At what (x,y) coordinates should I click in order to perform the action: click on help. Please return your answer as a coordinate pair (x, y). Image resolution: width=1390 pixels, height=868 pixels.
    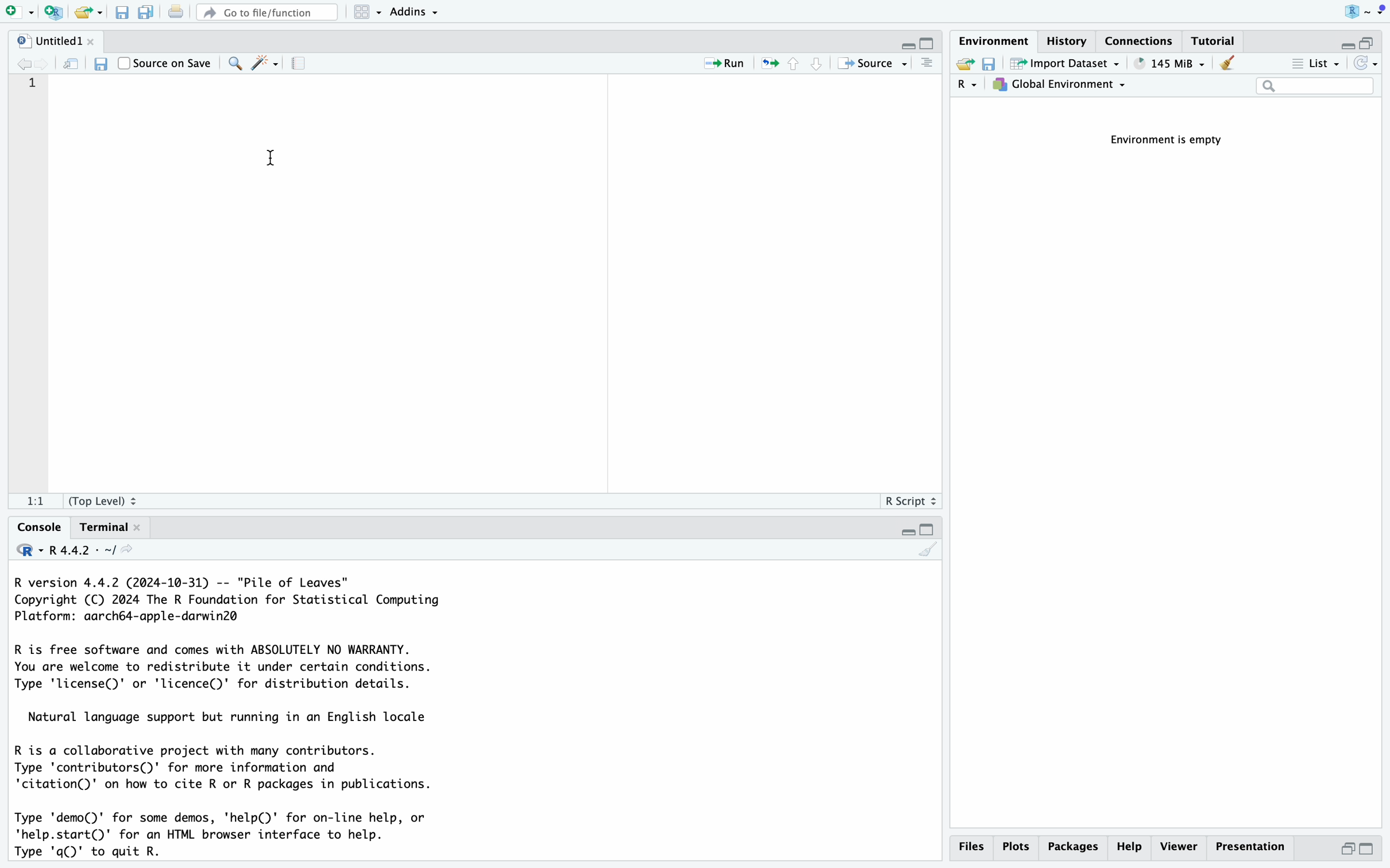
    Looking at the image, I should click on (1129, 848).